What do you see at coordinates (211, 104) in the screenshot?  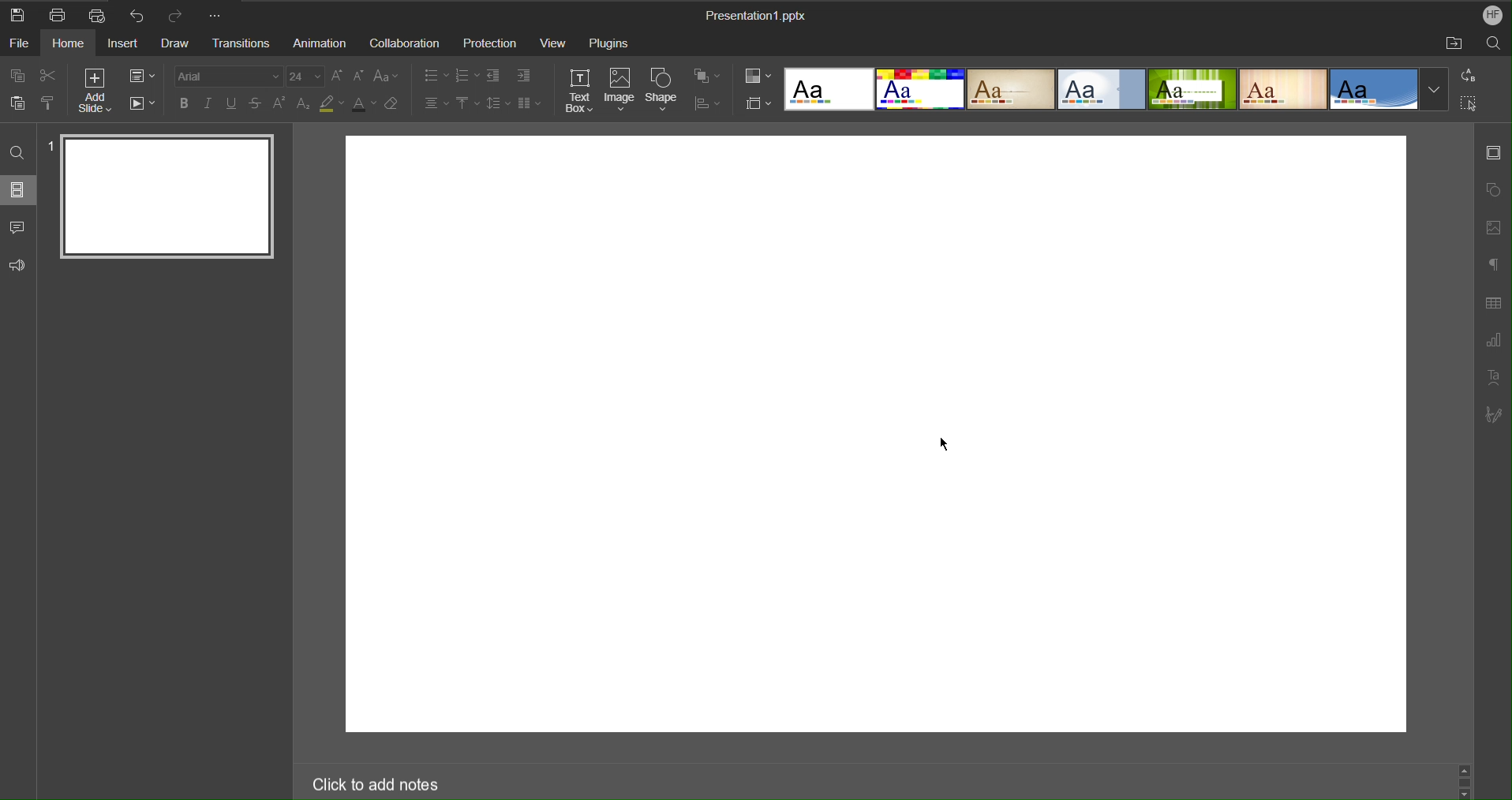 I see `Italic` at bounding box center [211, 104].